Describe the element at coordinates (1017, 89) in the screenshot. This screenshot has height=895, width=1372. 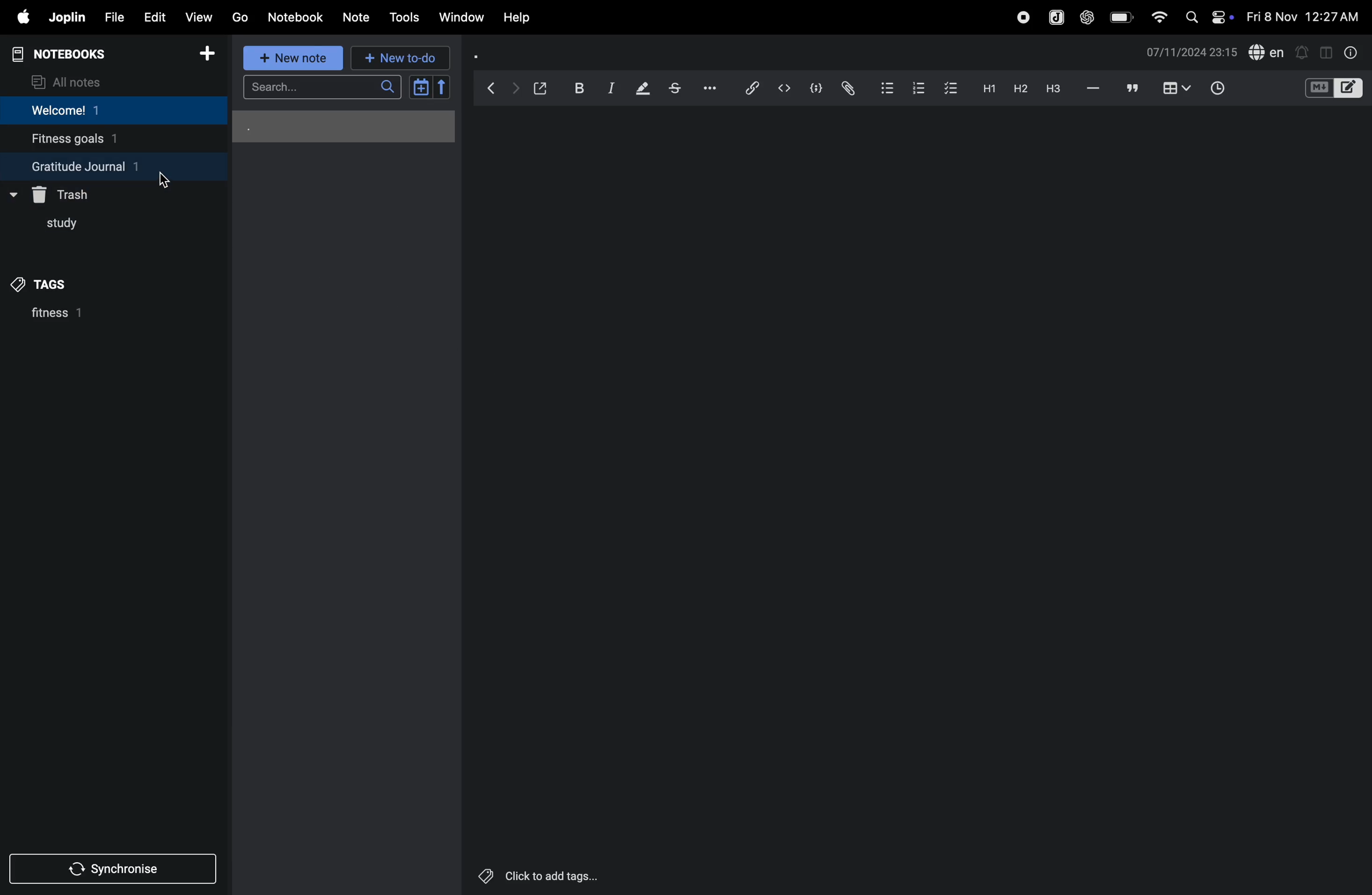
I see `heading 2` at that location.